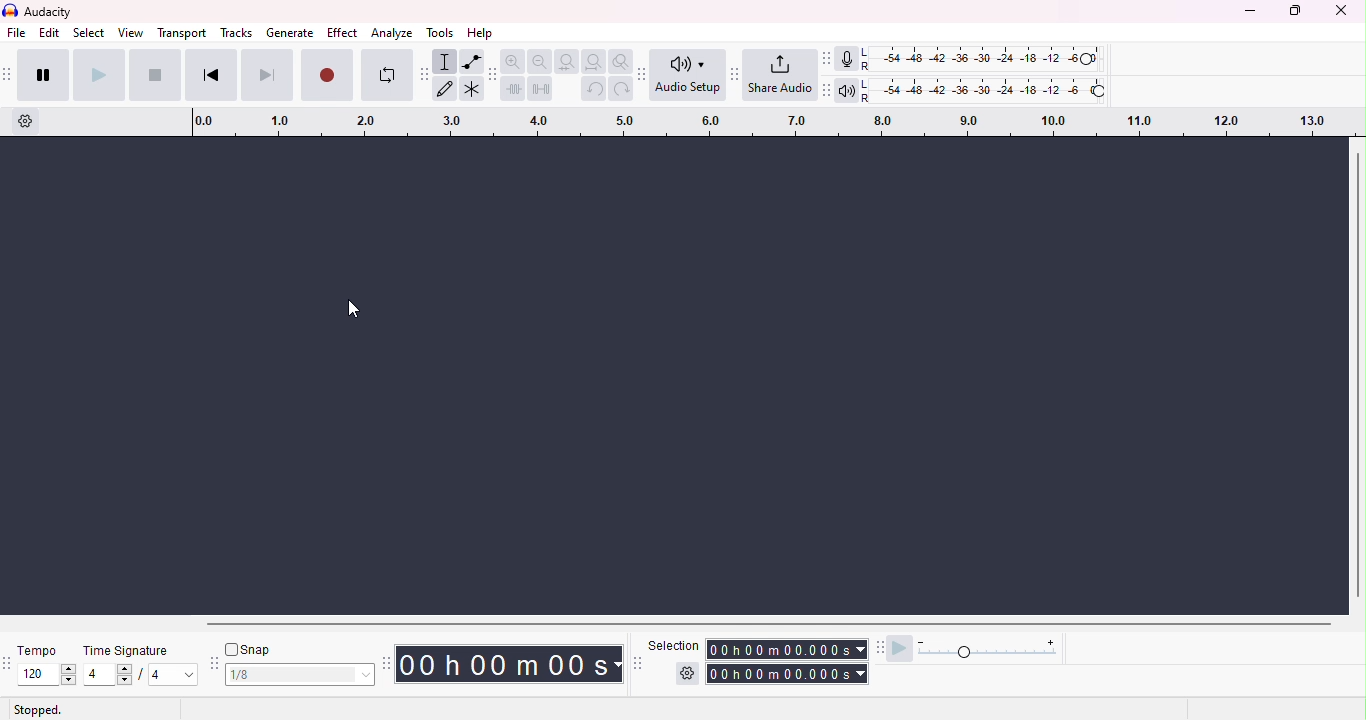 The width and height of the screenshot is (1366, 720). What do you see at coordinates (749, 623) in the screenshot?
I see `horizontal scroll bar` at bounding box center [749, 623].